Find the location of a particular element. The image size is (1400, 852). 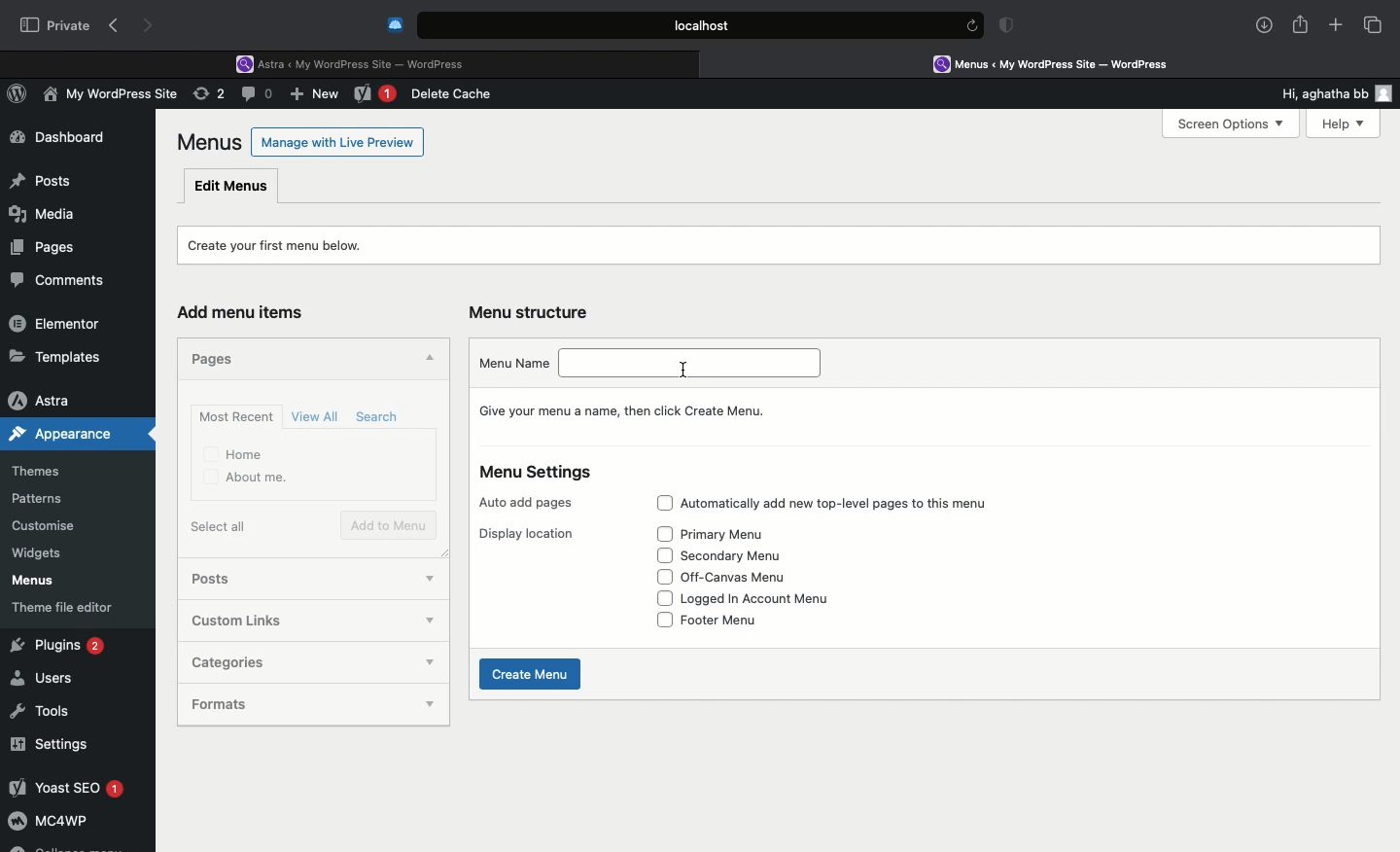

Tools is located at coordinates (42, 708).